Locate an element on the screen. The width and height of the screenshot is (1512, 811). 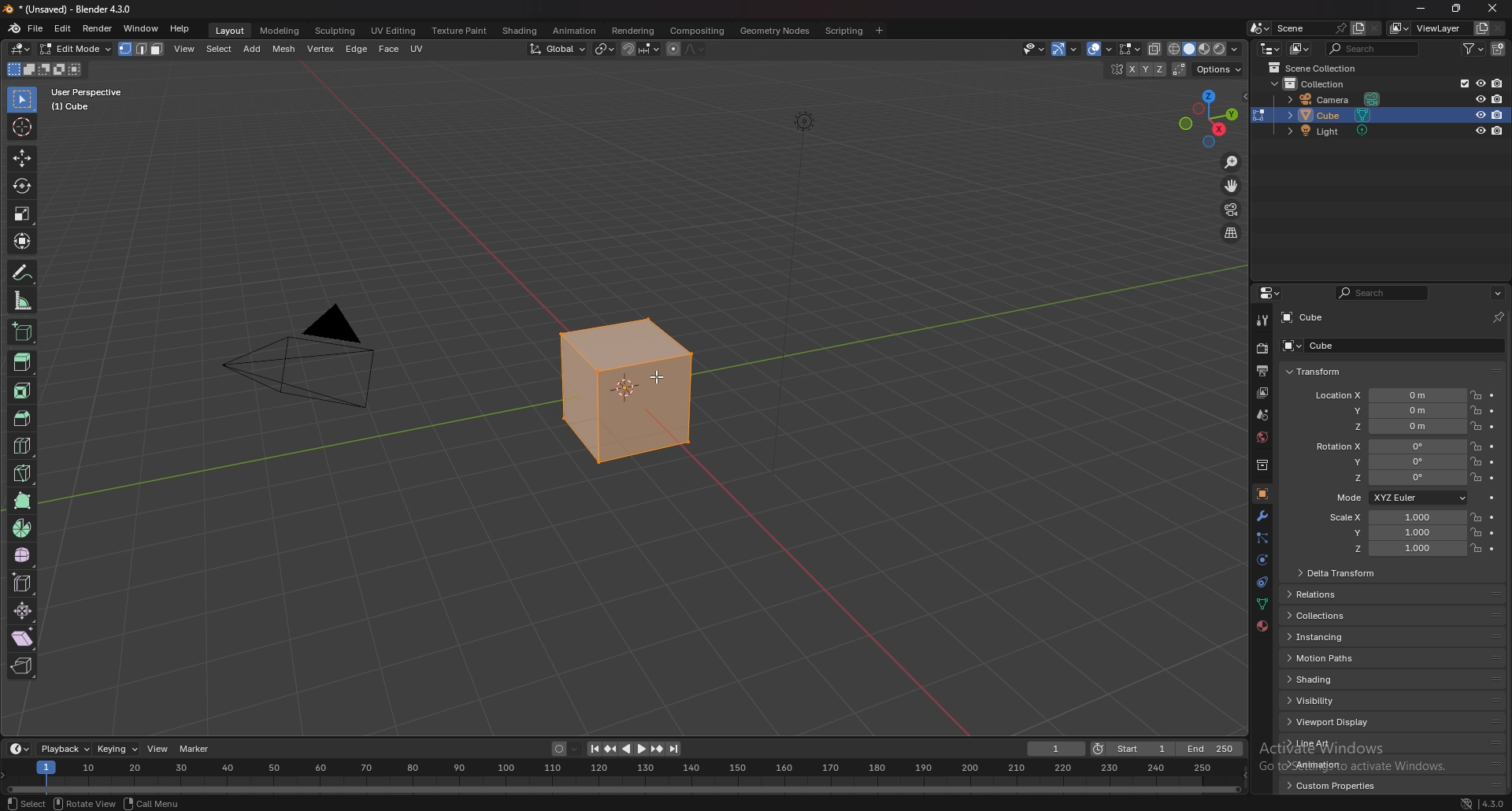
material is located at coordinates (1262, 625).